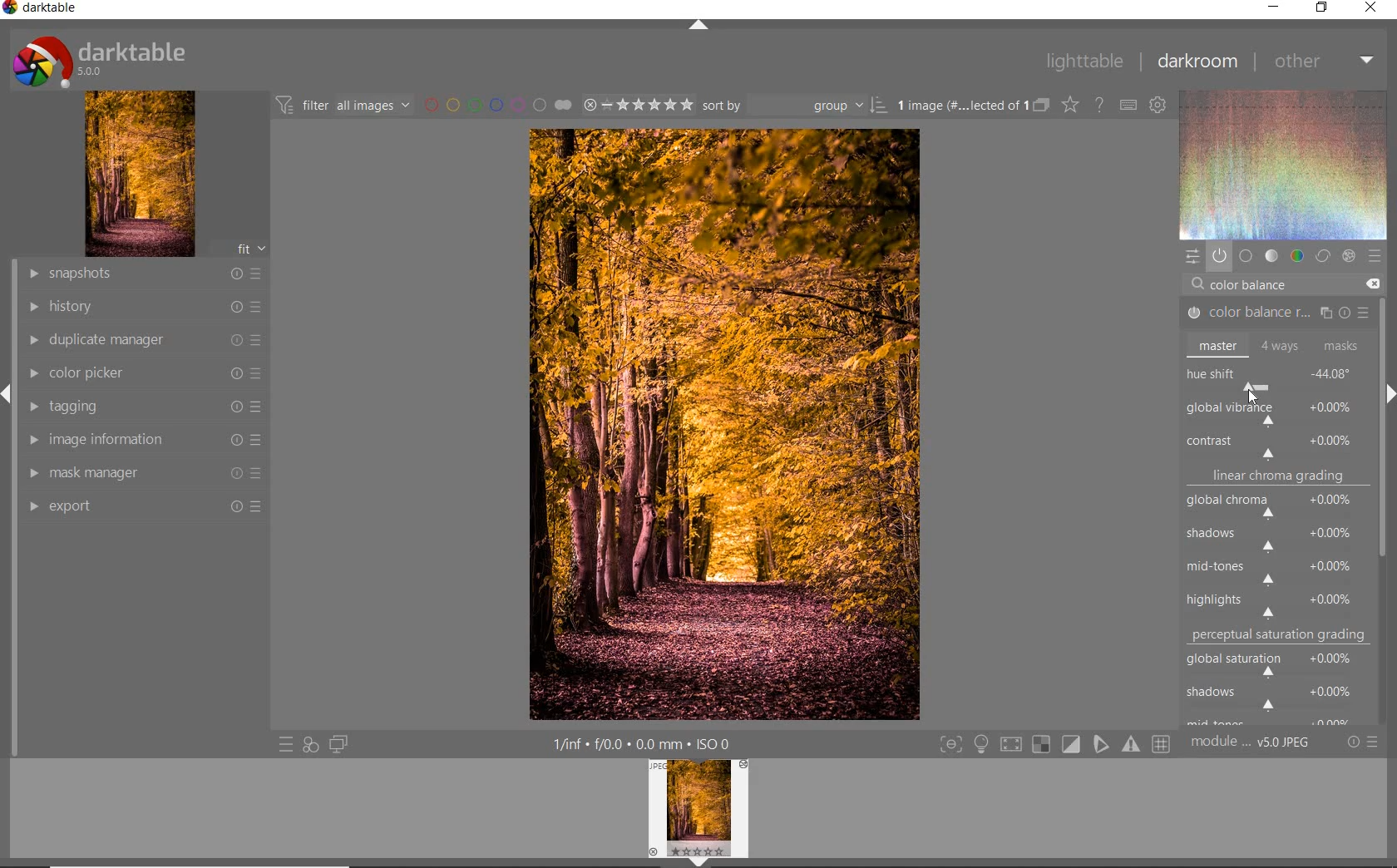 The image size is (1397, 868). I want to click on linear chroma grading, so click(1277, 479).